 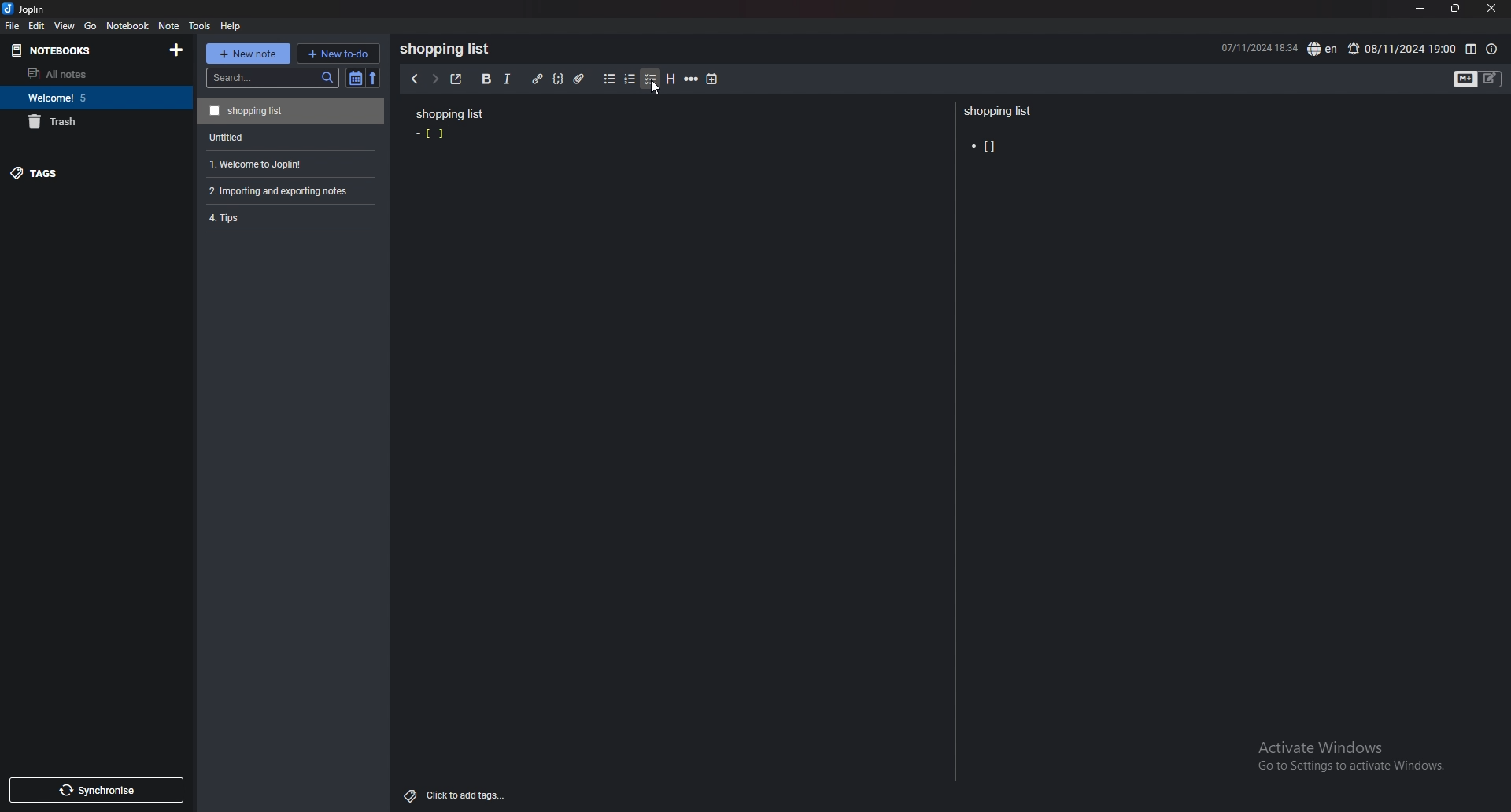 What do you see at coordinates (95, 790) in the screenshot?
I see `synchronize` at bounding box center [95, 790].